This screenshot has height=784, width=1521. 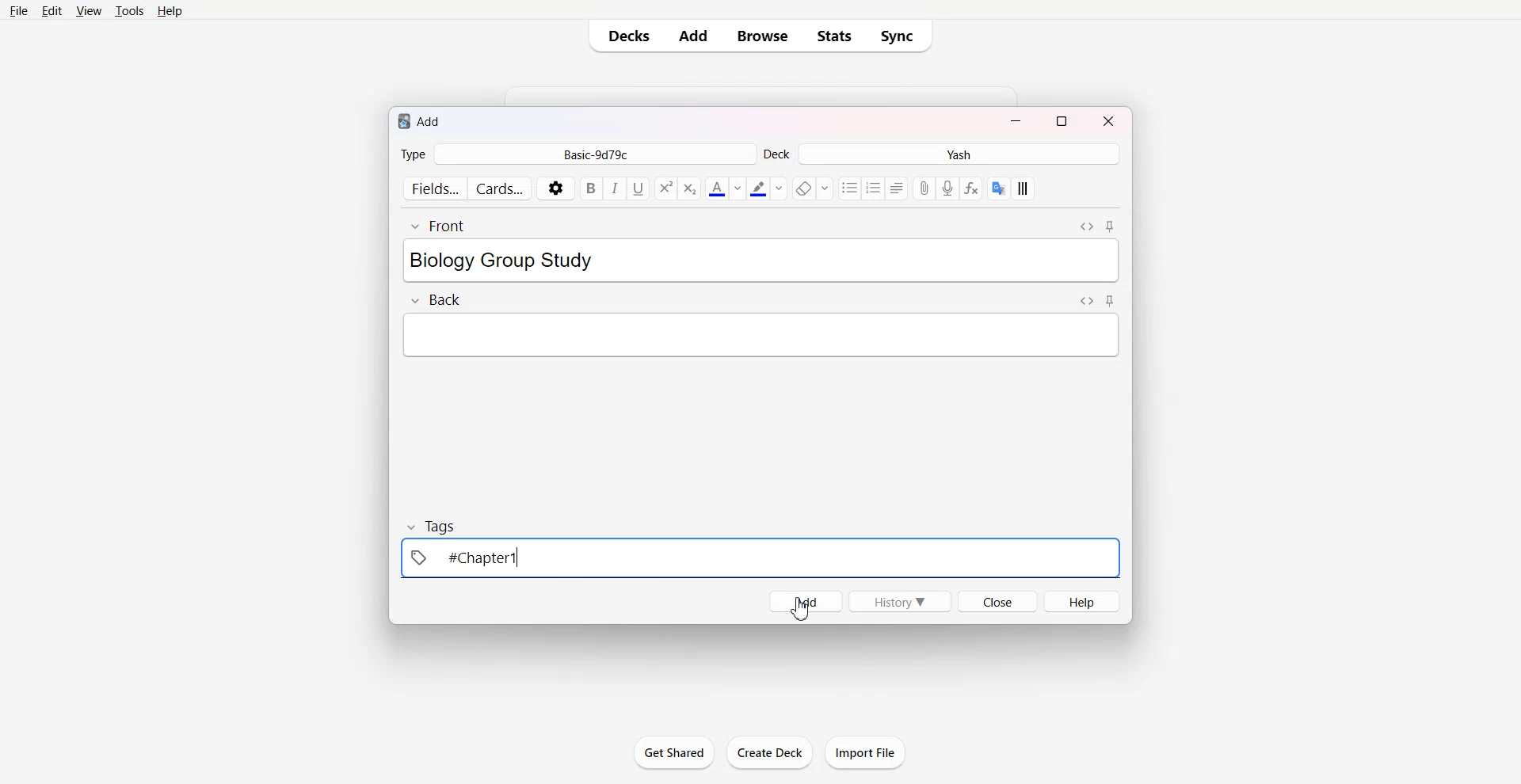 What do you see at coordinates (1109, 226) in the screenshot?
I see `Toggle Sticky` at bounding box center [1109, 226].